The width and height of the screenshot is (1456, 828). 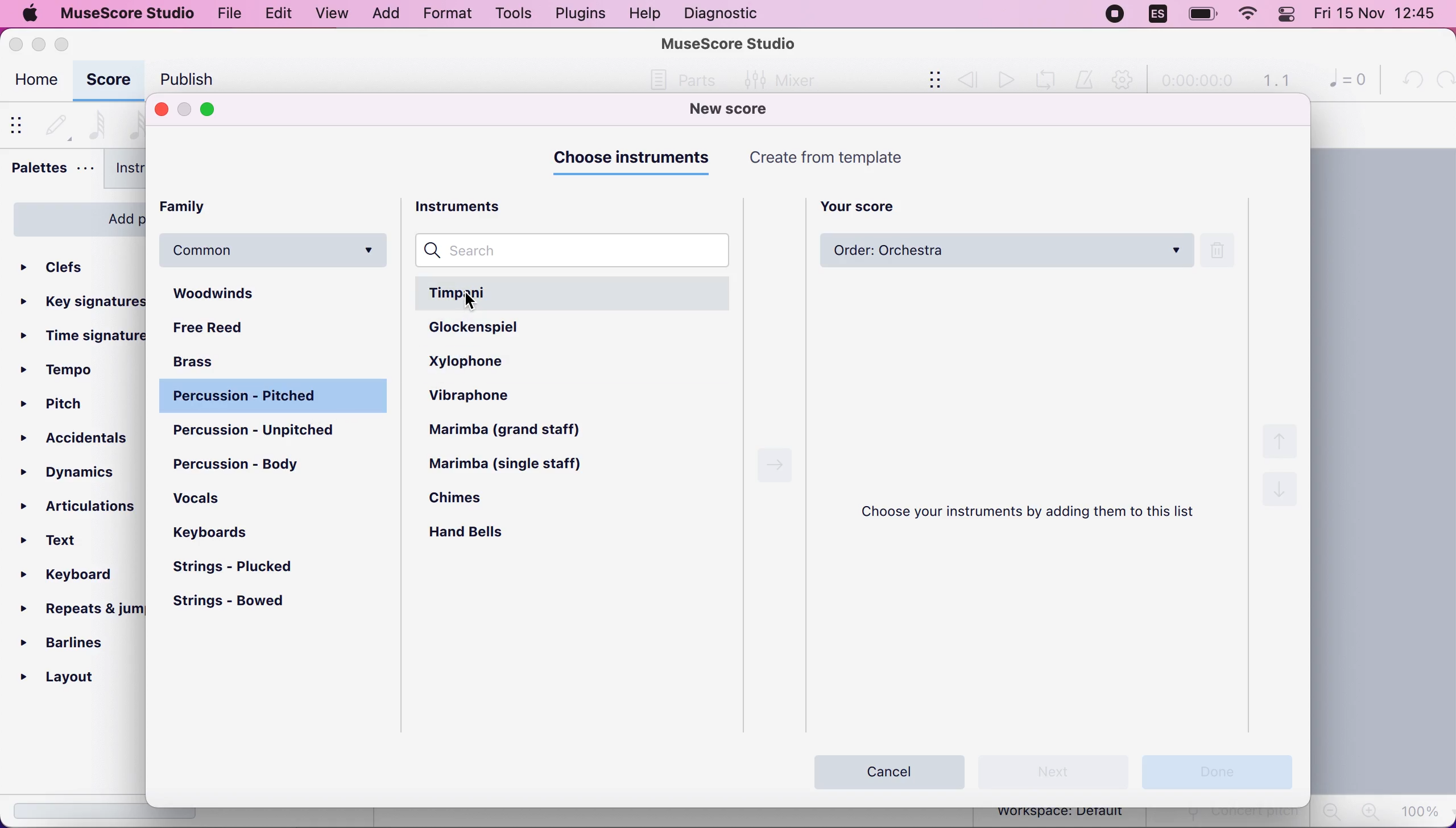 I want to click on vibraphone, so click(x=490, y=398).